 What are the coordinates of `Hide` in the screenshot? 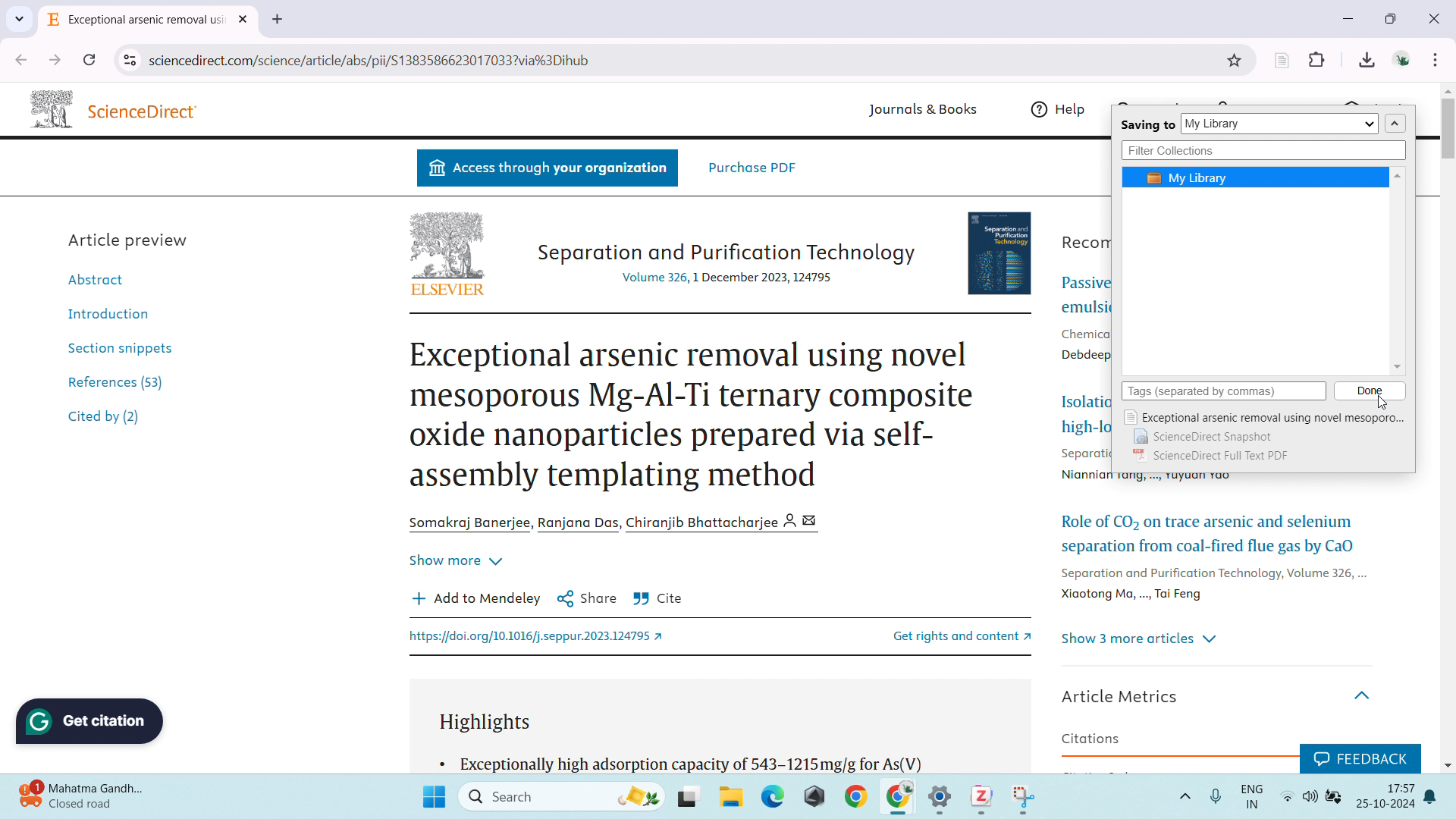 It's located at (1367, 690).